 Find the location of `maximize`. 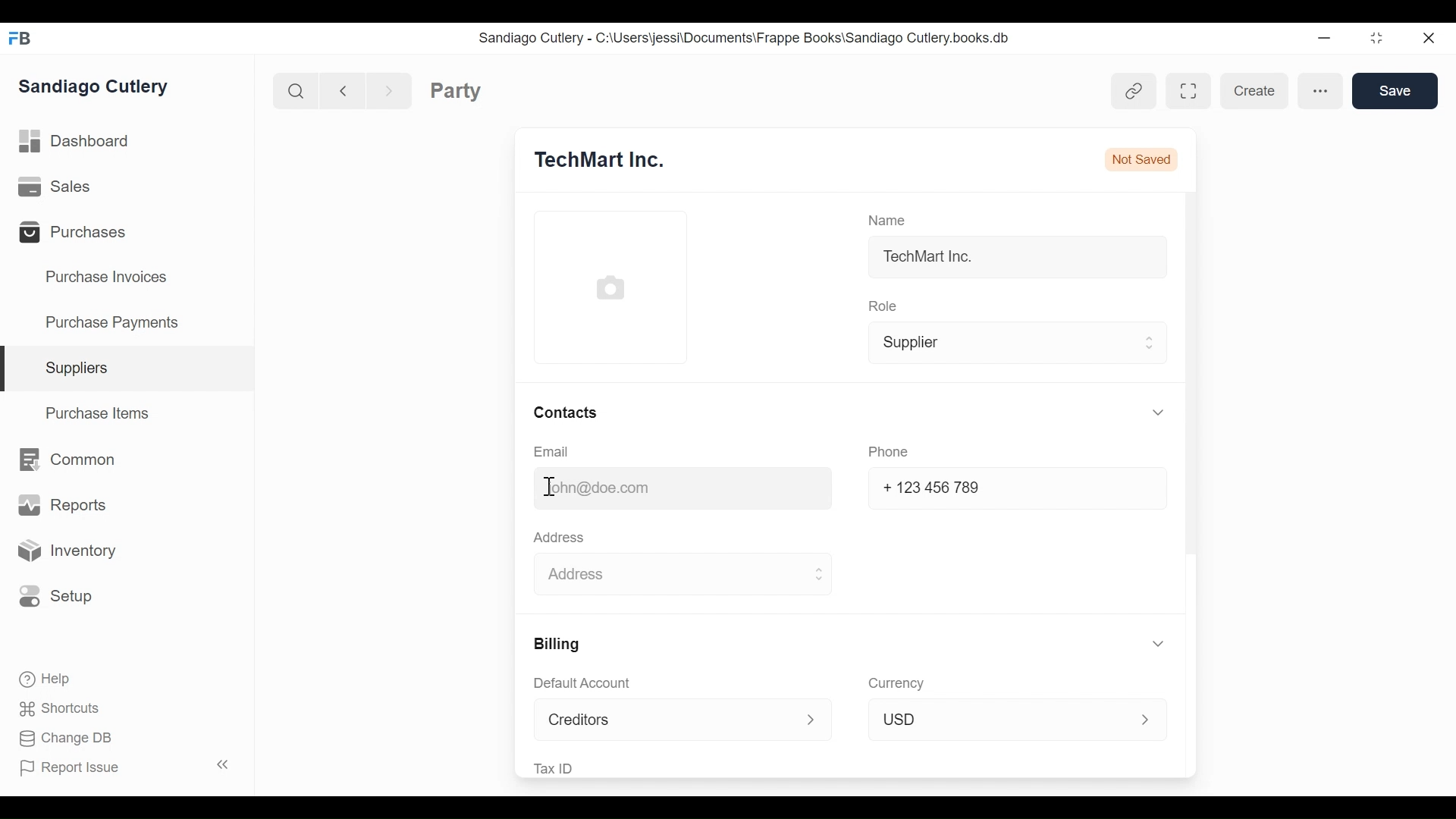

maximize is located at coordinates (1382, 39).